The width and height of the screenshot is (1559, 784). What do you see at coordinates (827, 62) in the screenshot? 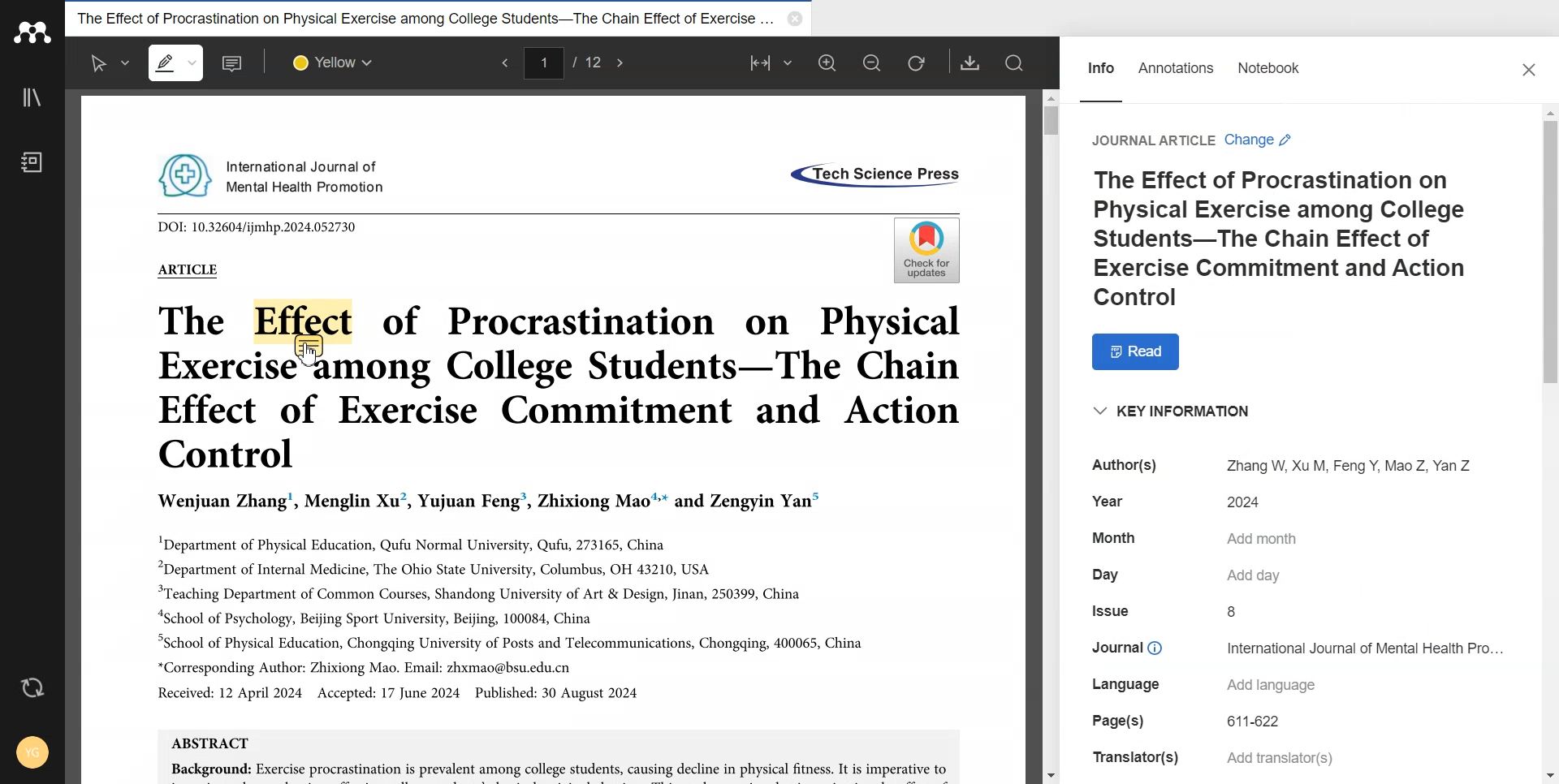
I see `Zoom in` at bounding box center [827, 62].